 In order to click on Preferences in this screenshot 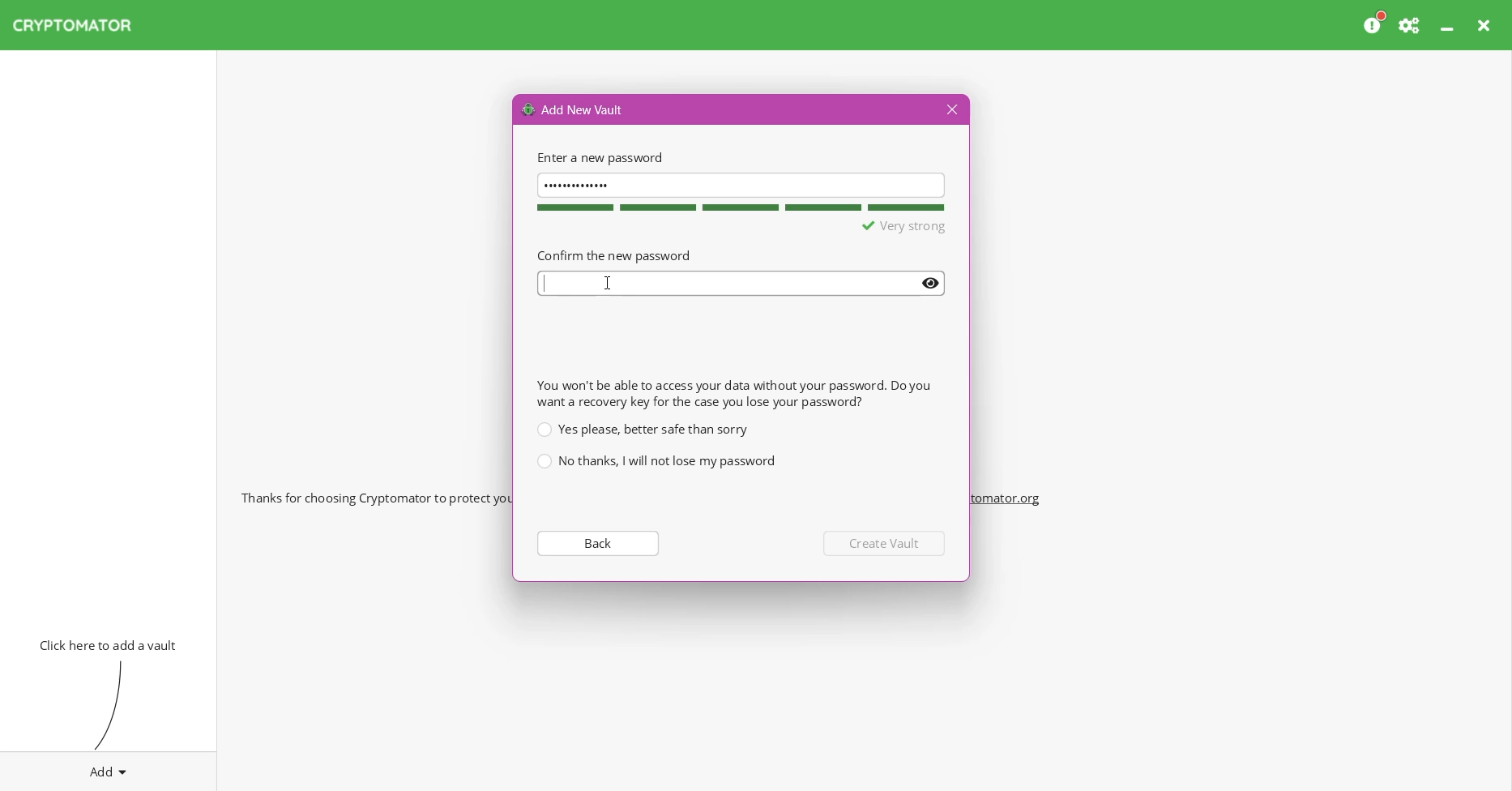, I will do `click(1411, 25)`.